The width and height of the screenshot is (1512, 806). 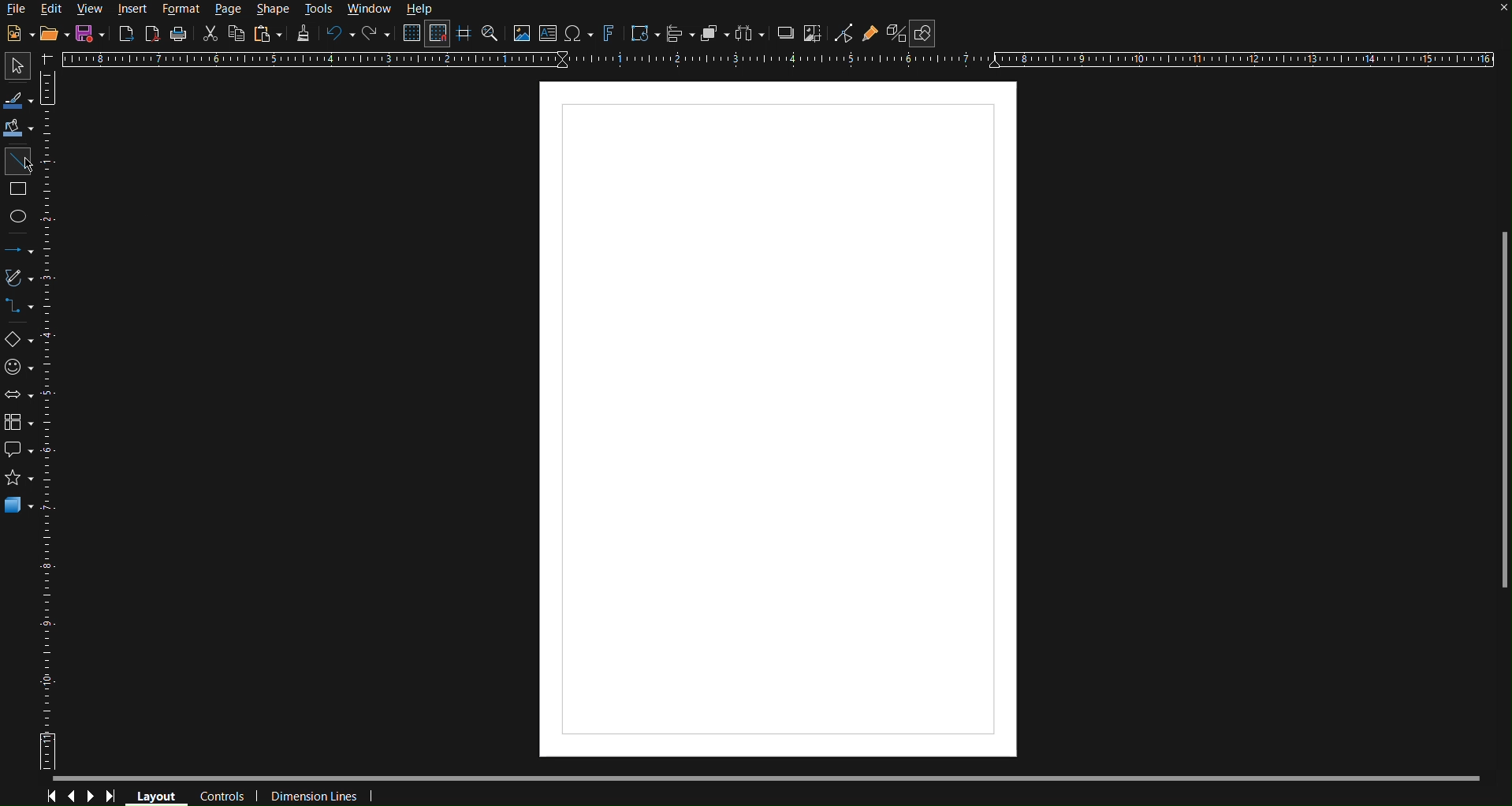 What do you see at coordinates (235, 34) in the screenshot?
I see `Copy` at bounding box center [235, 34].